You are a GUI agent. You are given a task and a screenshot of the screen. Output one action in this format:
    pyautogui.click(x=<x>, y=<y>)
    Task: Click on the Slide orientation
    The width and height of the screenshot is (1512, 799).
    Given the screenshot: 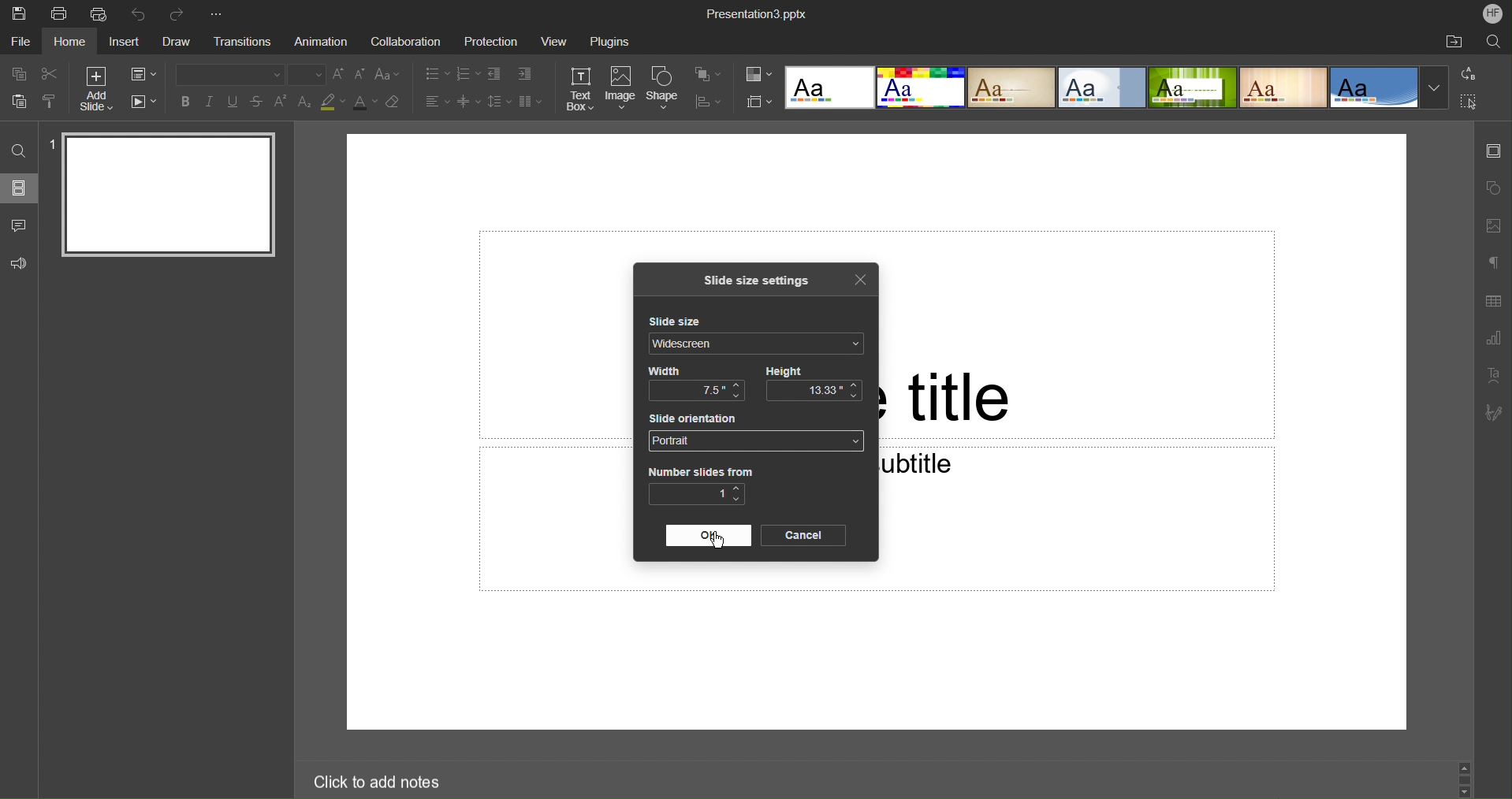 What is the action you would take?
    pyautogui.click(x=698, y=418)
    